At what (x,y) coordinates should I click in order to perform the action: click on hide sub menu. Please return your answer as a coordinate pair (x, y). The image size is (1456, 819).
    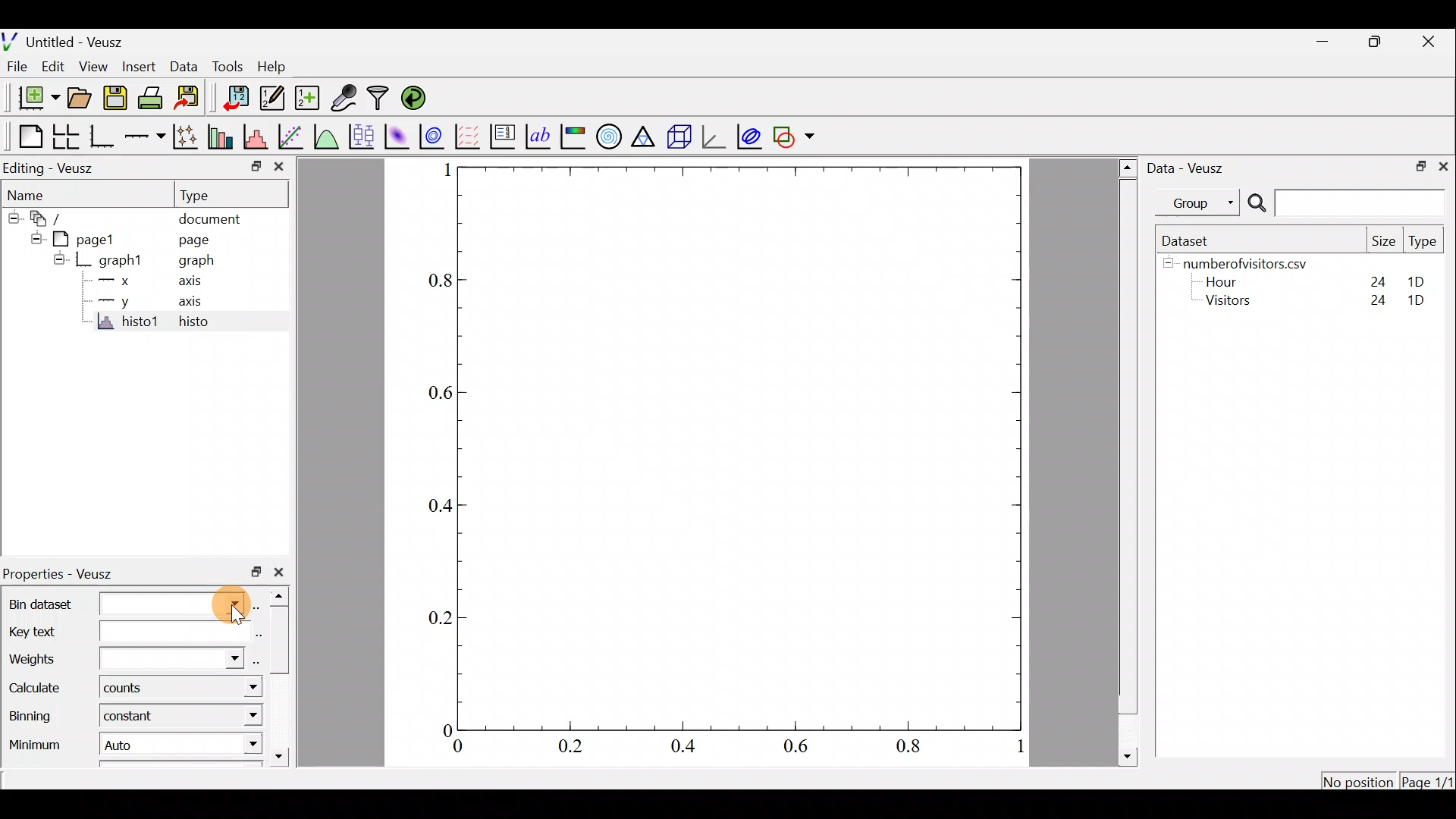
    Looking at the image, I should click on (55, 262).